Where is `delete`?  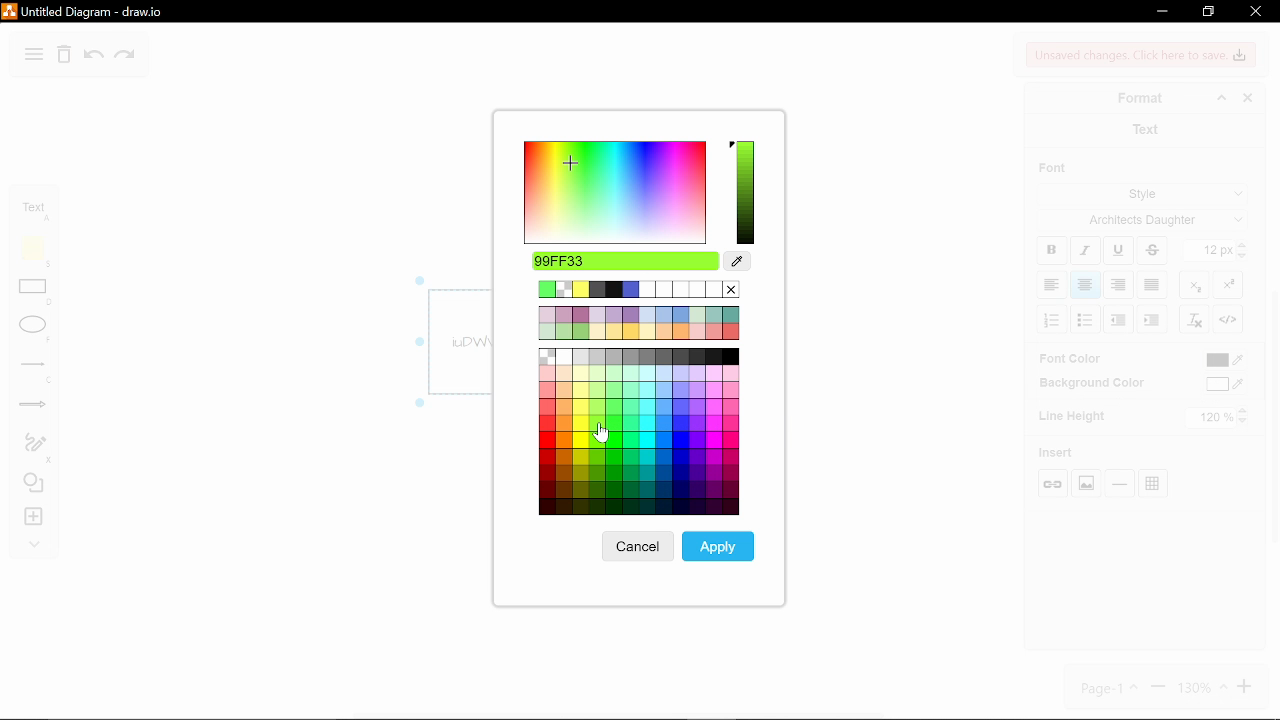 delete is located at coordinates (64, 56).